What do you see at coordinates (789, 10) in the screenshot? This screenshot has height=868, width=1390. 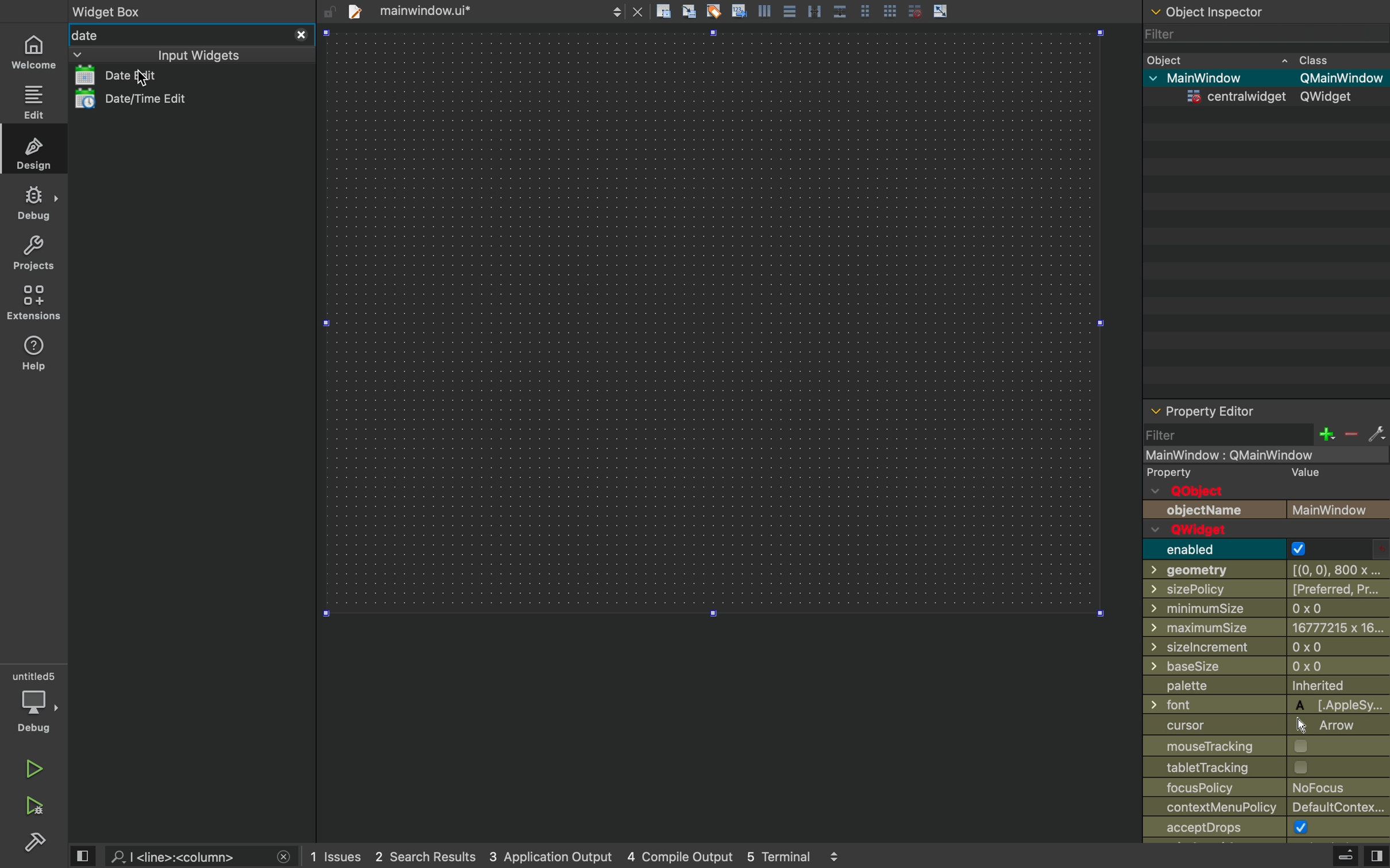 I see `align center` at bounding box center [789, 10].